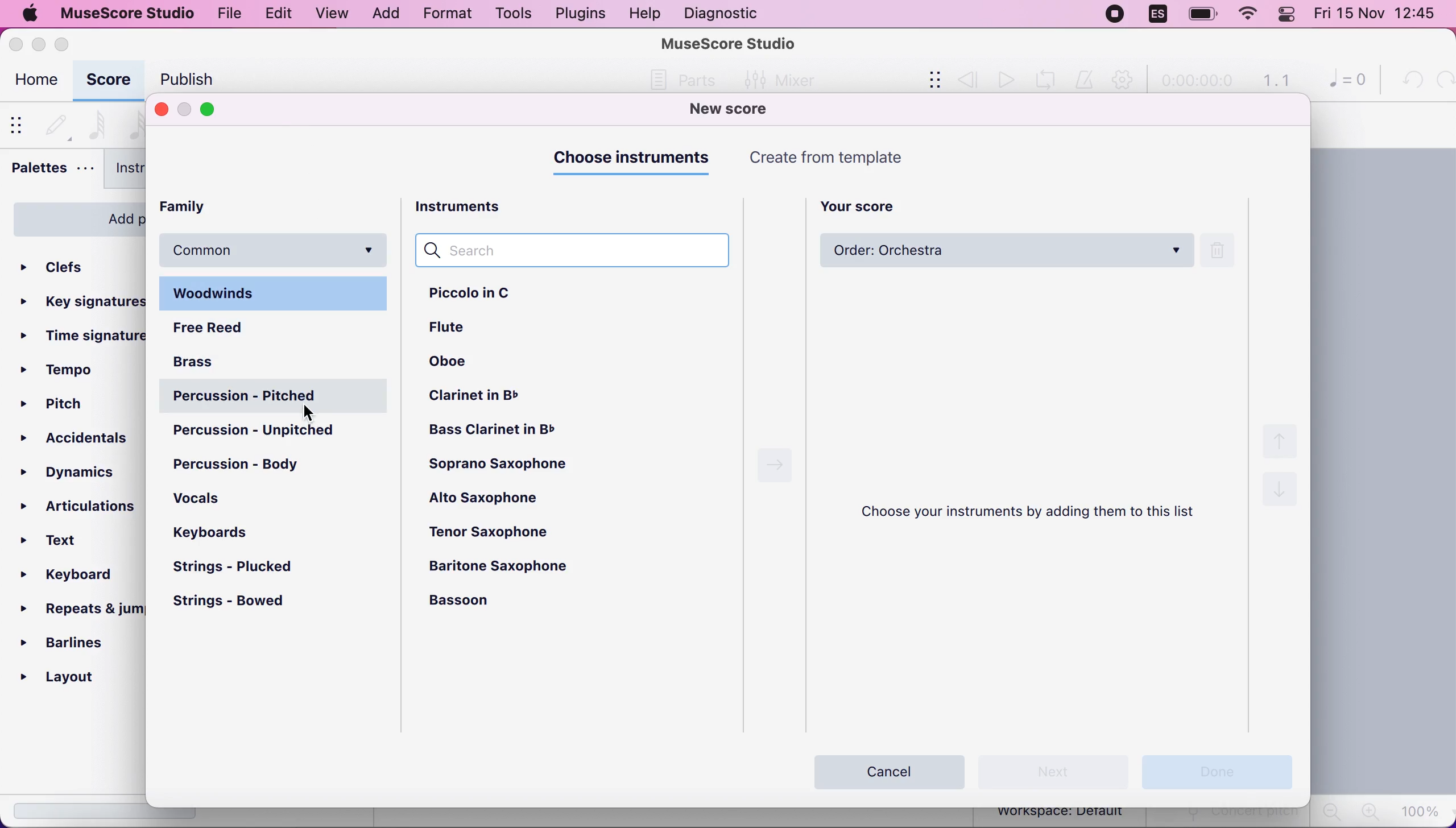 The width and height of the screenshot is (1456, 828). What do you see at coordinates (1442, 80) in the screenshot?
I see `redo` at bounding box center [1442, 80].